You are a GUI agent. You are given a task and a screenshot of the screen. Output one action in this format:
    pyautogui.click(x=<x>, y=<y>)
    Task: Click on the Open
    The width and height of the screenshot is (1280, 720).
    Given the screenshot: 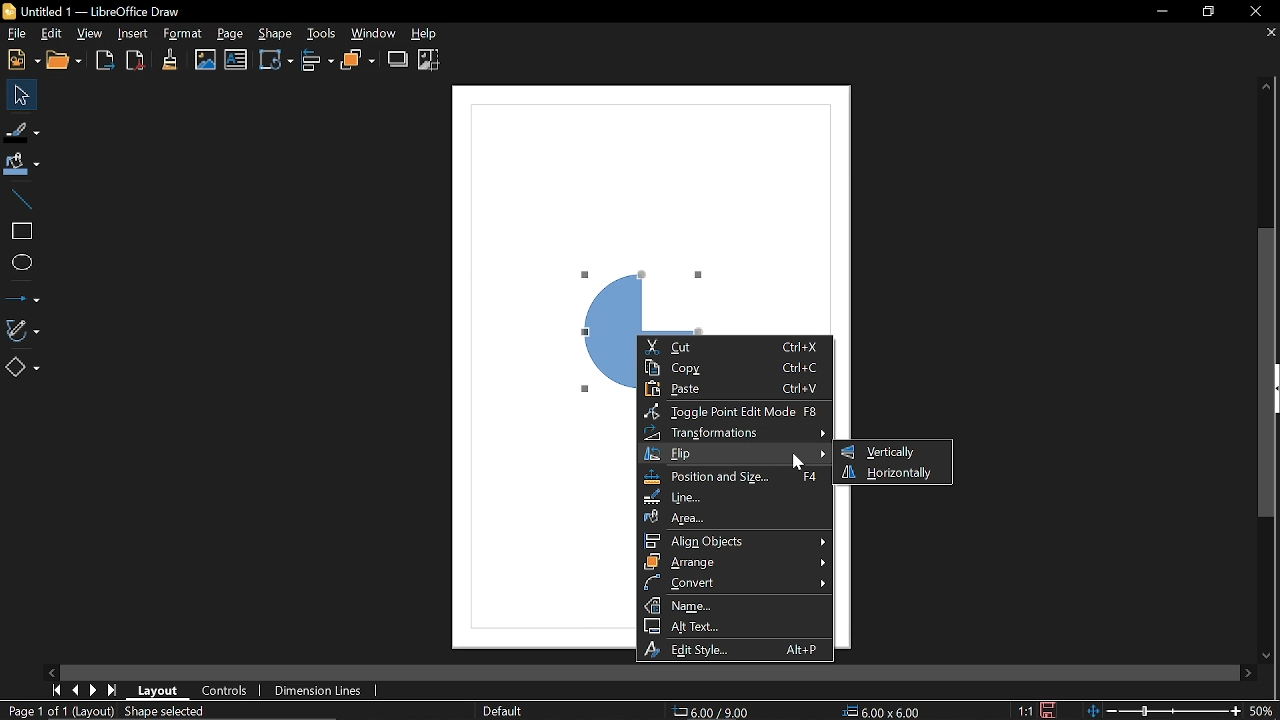 What is the action you would take?
    pyautogui.click(x=66, y=61)
    